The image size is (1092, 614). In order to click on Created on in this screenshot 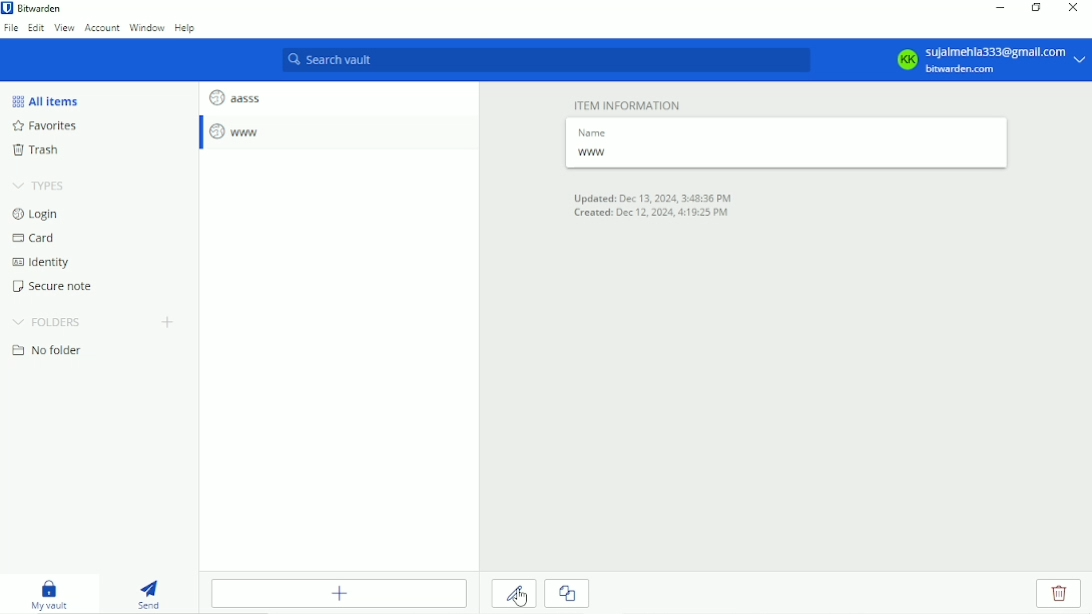, I will do `click(655, 215)`.